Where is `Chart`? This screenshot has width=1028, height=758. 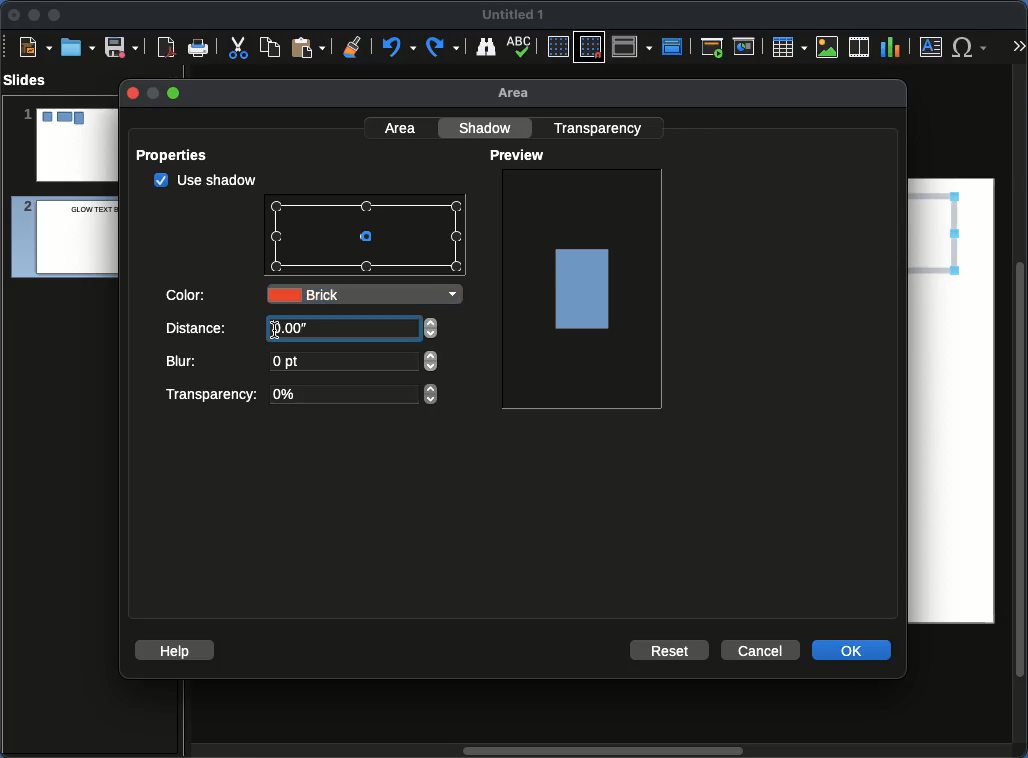
Chart is located at coordinates (890, 48).